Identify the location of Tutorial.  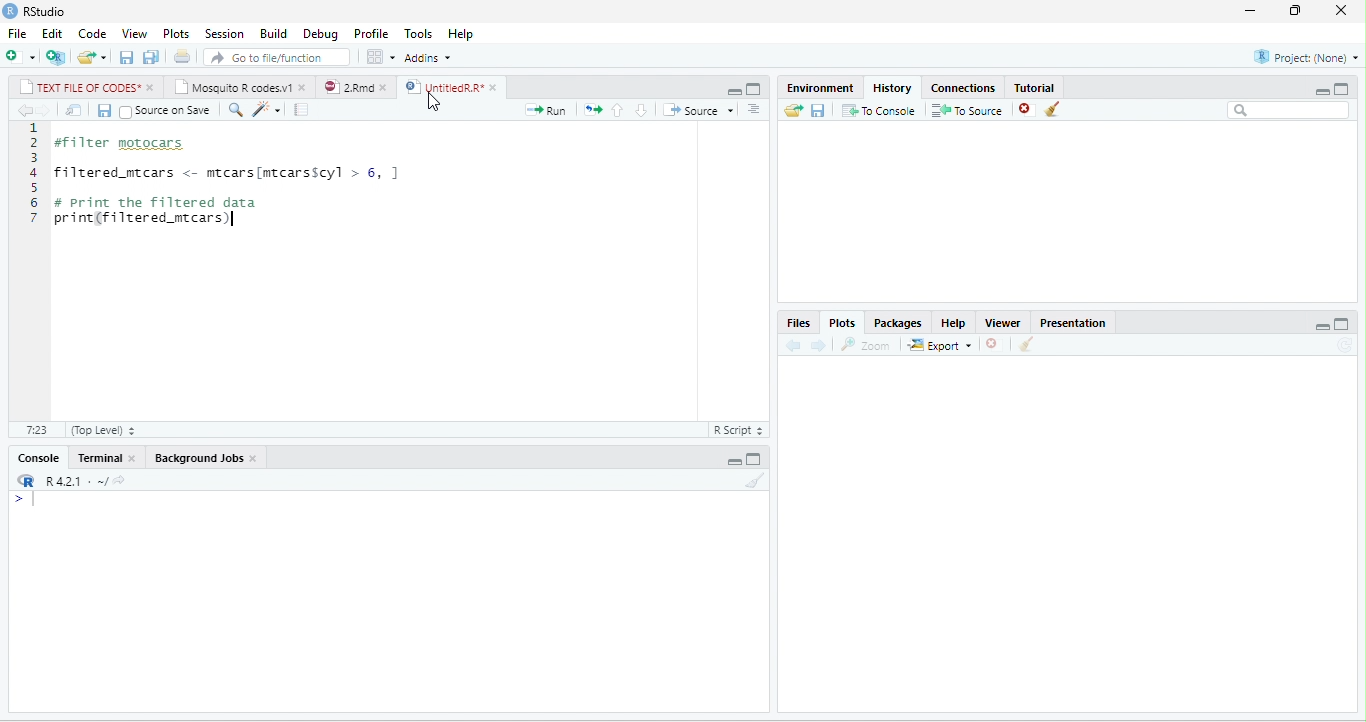
(1033, 87).